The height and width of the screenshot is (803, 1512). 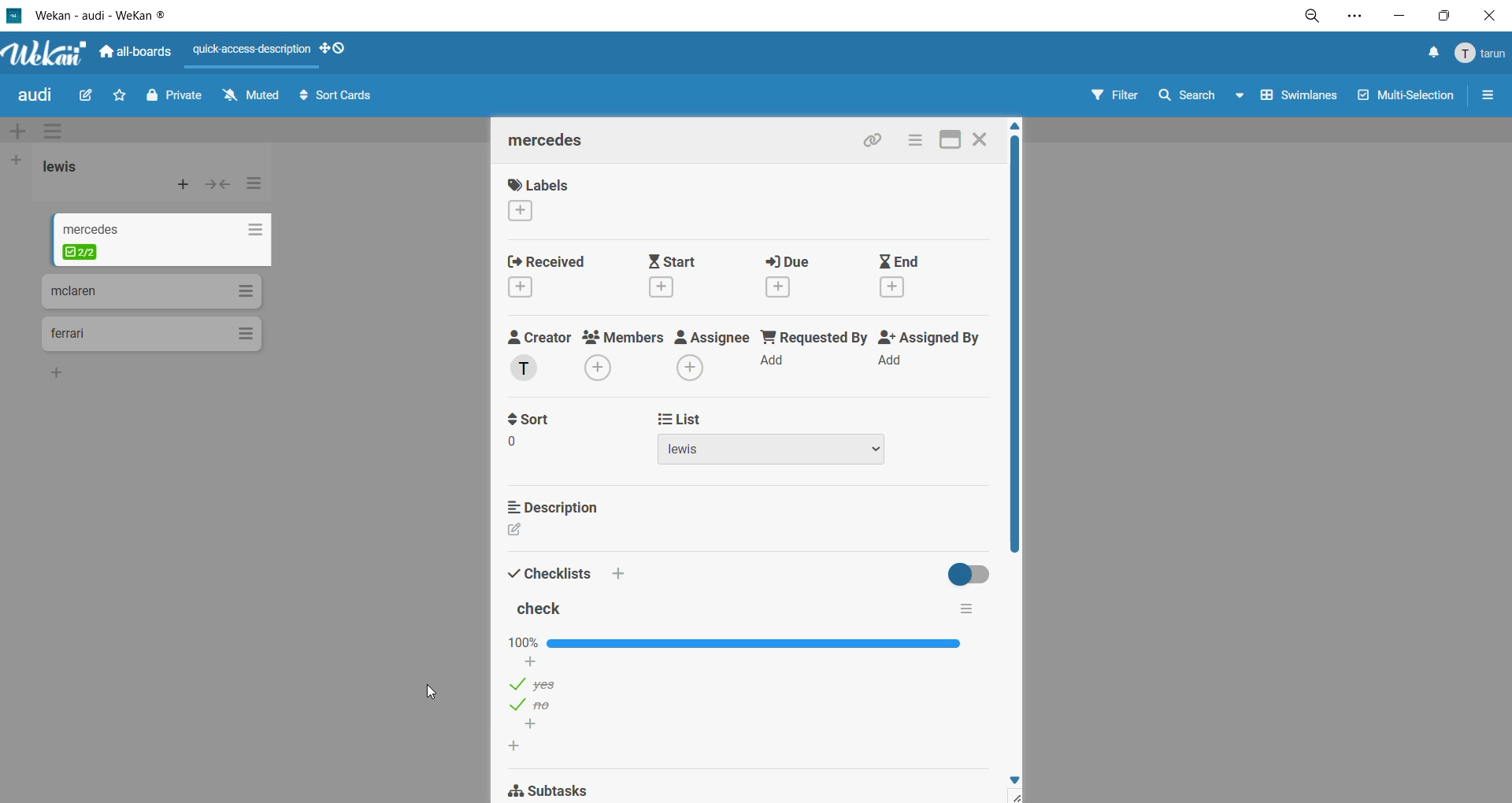 I want to click on add, so click(x=532, y=663).